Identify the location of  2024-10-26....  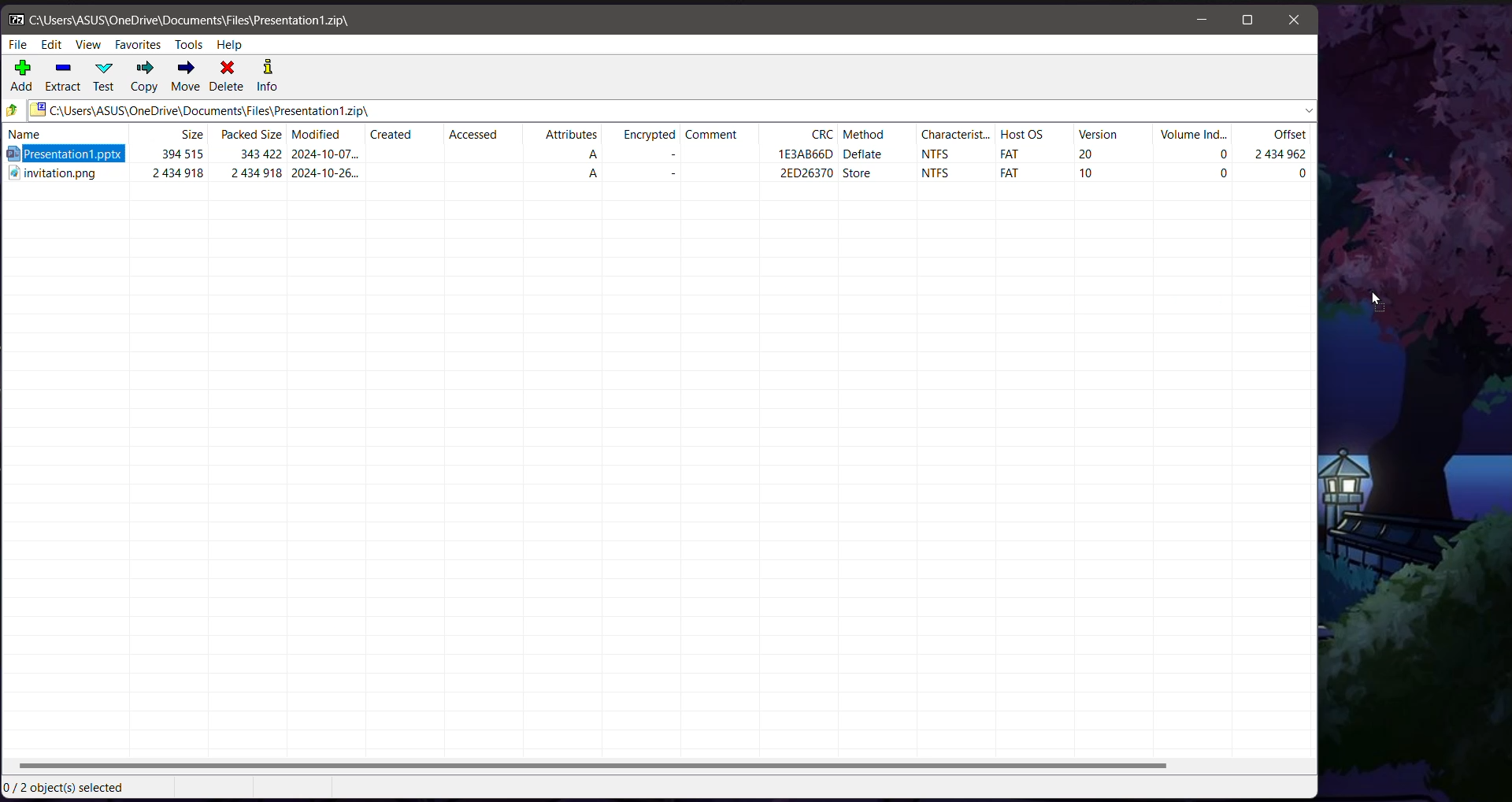
(329, 176).